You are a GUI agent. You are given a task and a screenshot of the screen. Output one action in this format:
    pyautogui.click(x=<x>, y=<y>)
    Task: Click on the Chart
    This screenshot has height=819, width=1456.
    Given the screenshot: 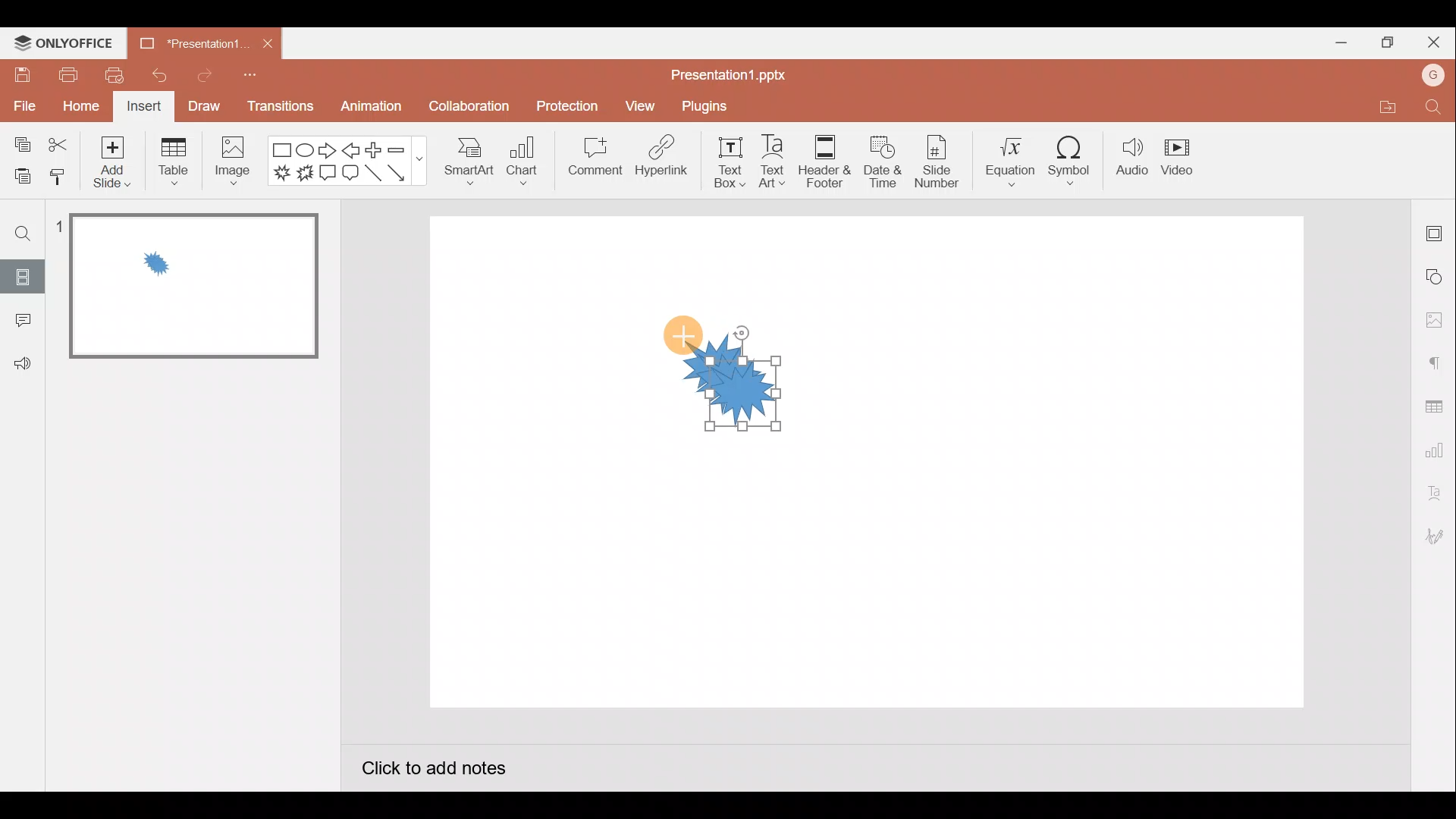 What is the action you would take?
    pyautogui.click(x=529, y=165)
    